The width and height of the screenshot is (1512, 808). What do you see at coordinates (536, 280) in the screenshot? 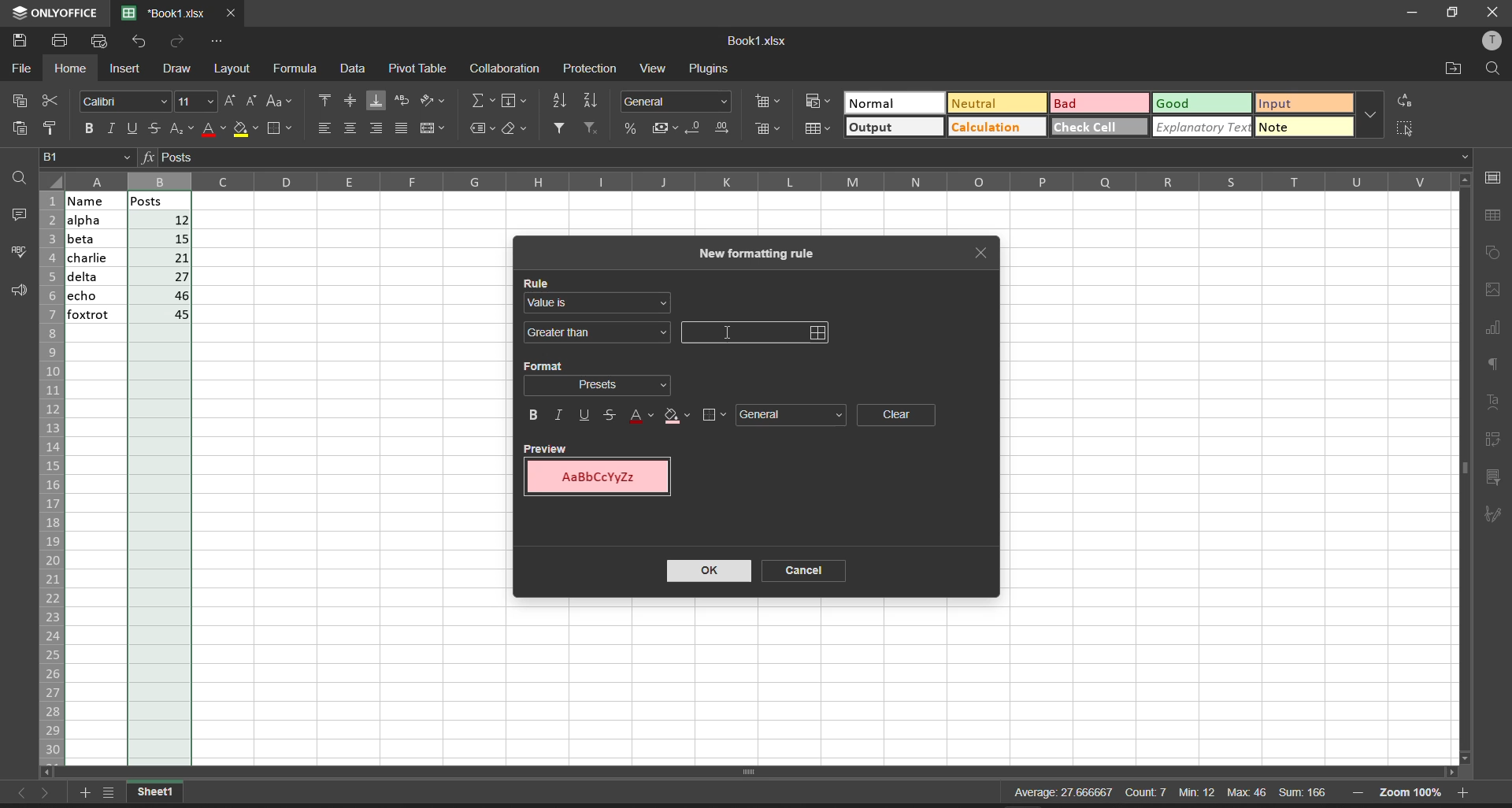
I see `rule` at bounding box center [536, 280].